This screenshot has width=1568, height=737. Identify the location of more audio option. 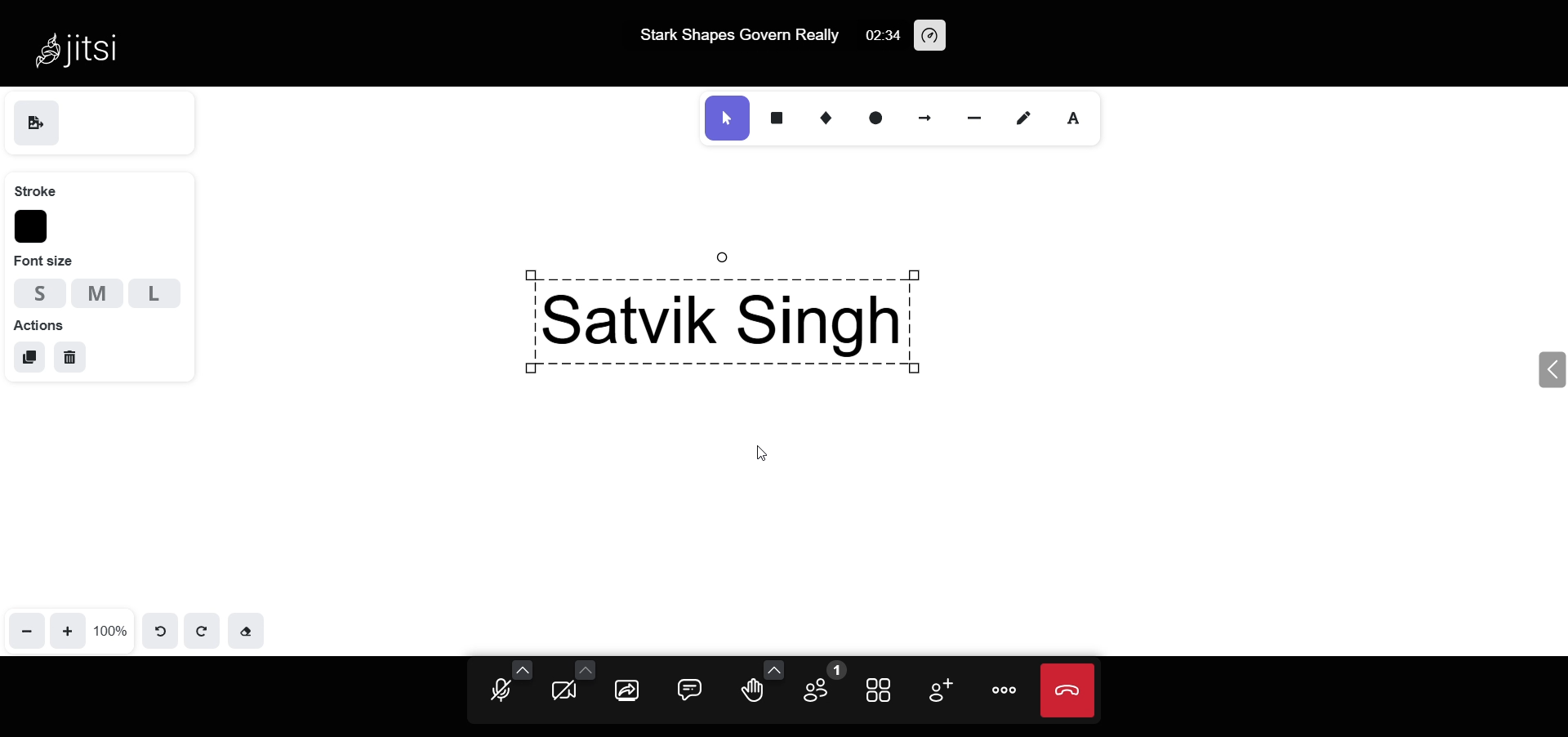
(523, 668).